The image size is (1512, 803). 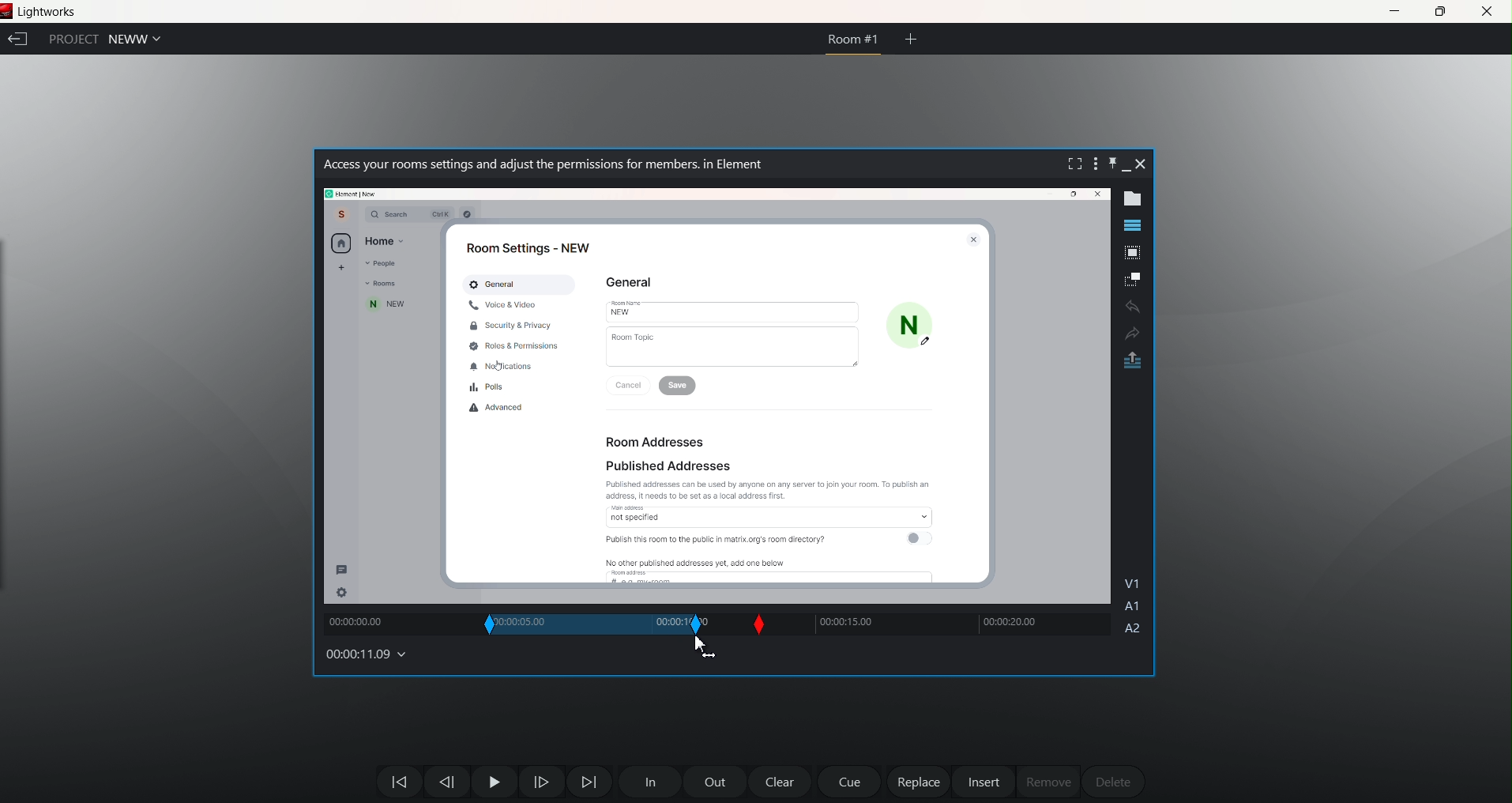 I want to click on A1, so click(x=1132, y=607).